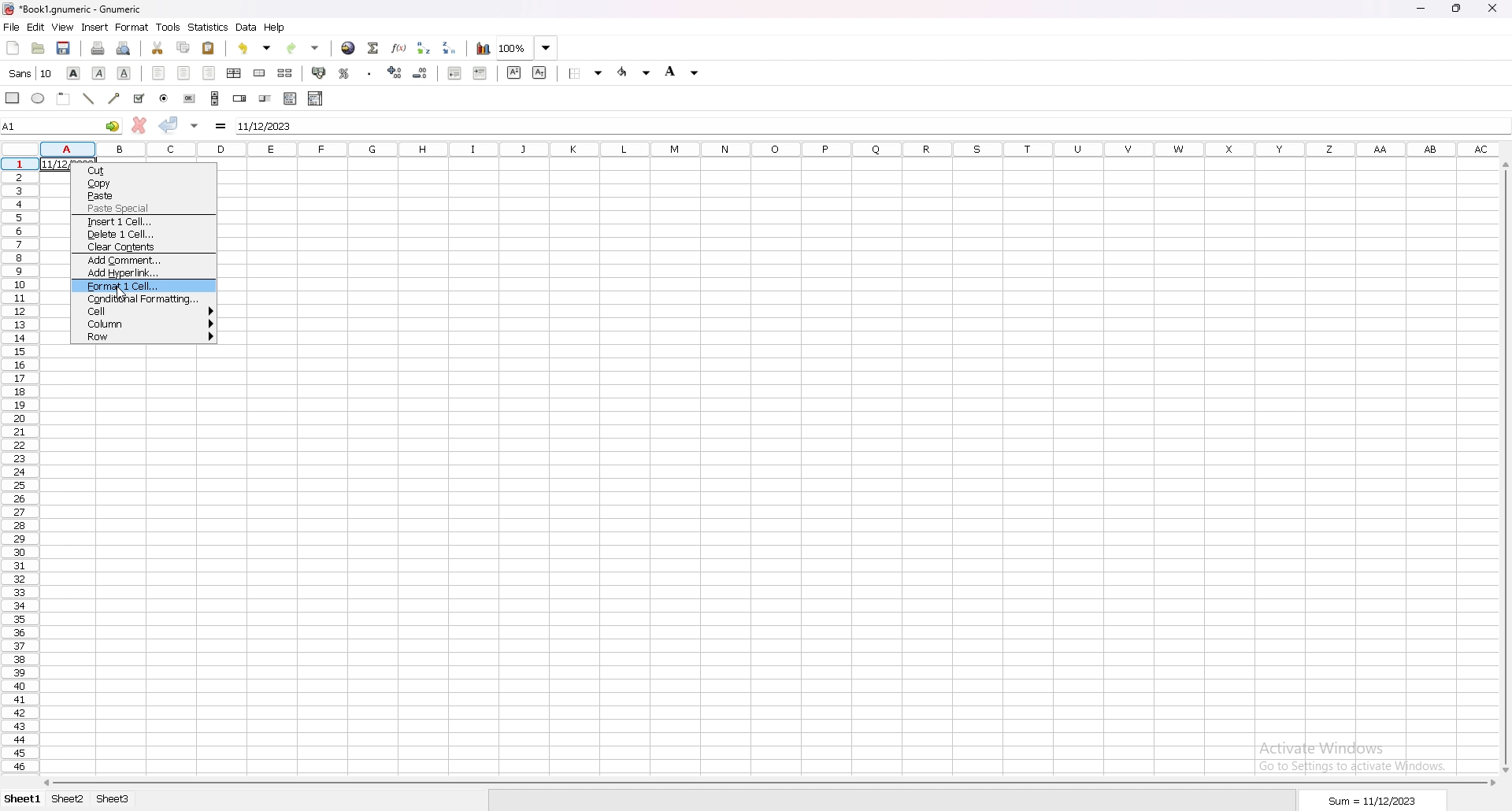  What do you see at coordinates (98, 48) in the screenshot?
I see `print` at bounding box center [98, 48].